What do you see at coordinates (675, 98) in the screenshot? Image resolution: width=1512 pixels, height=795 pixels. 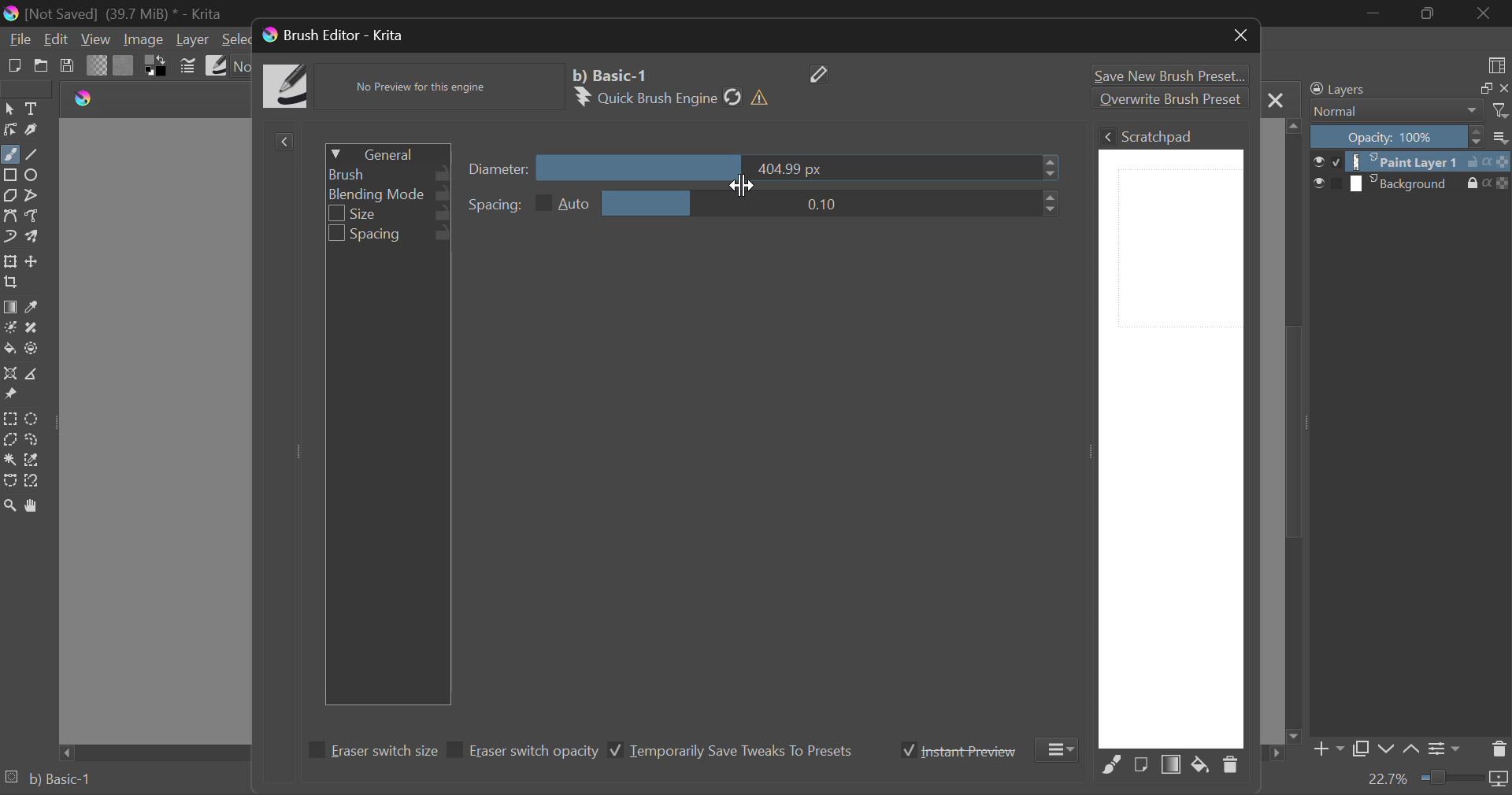 I see `Quick Brush Engine` at bounding box center [675, 98].